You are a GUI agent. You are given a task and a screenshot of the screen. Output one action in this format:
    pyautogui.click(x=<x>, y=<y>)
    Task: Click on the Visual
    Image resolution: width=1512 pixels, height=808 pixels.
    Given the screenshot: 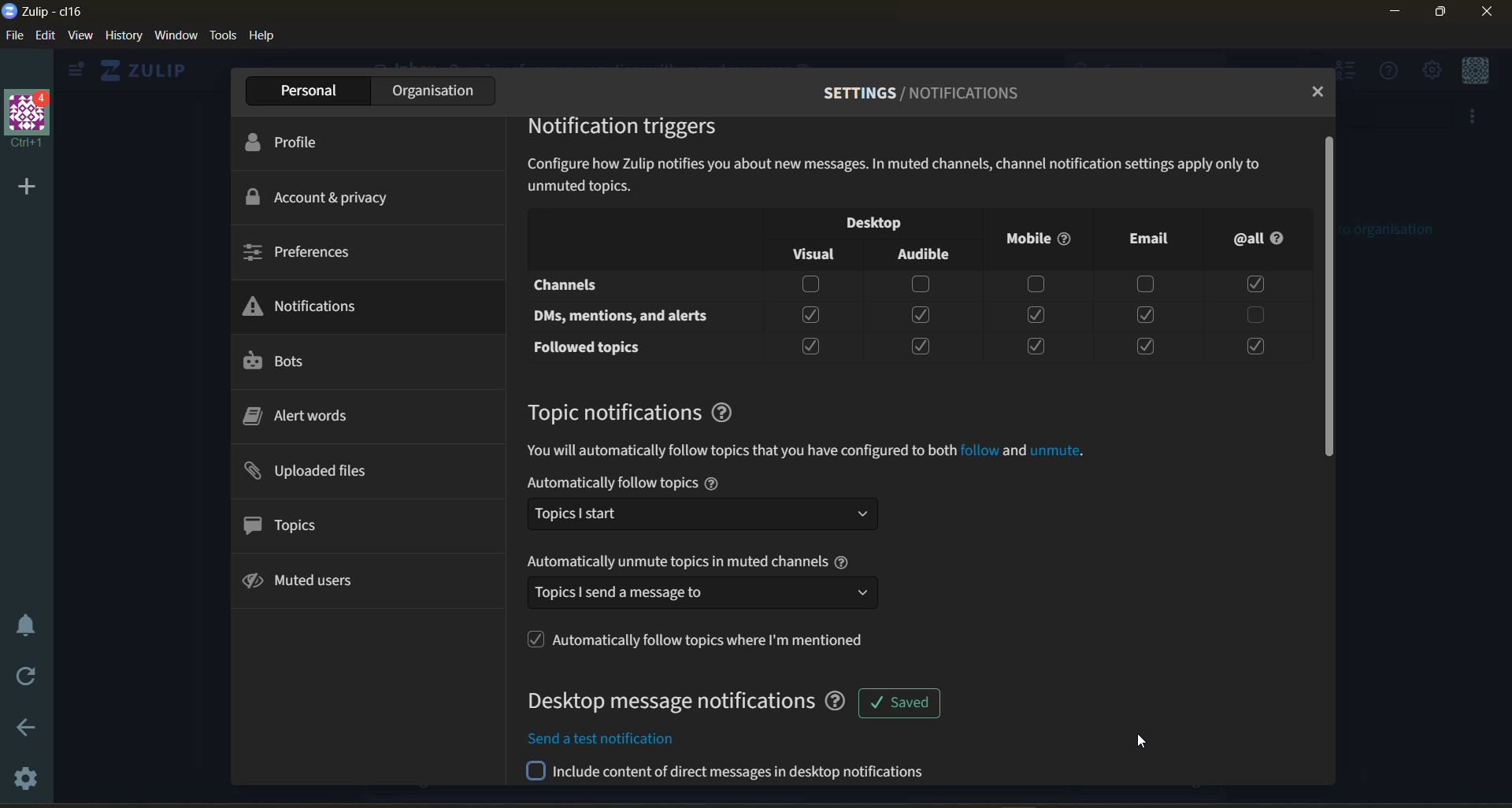 What is the action you would take?
    pyautogui.click(x=807, y=250)
    